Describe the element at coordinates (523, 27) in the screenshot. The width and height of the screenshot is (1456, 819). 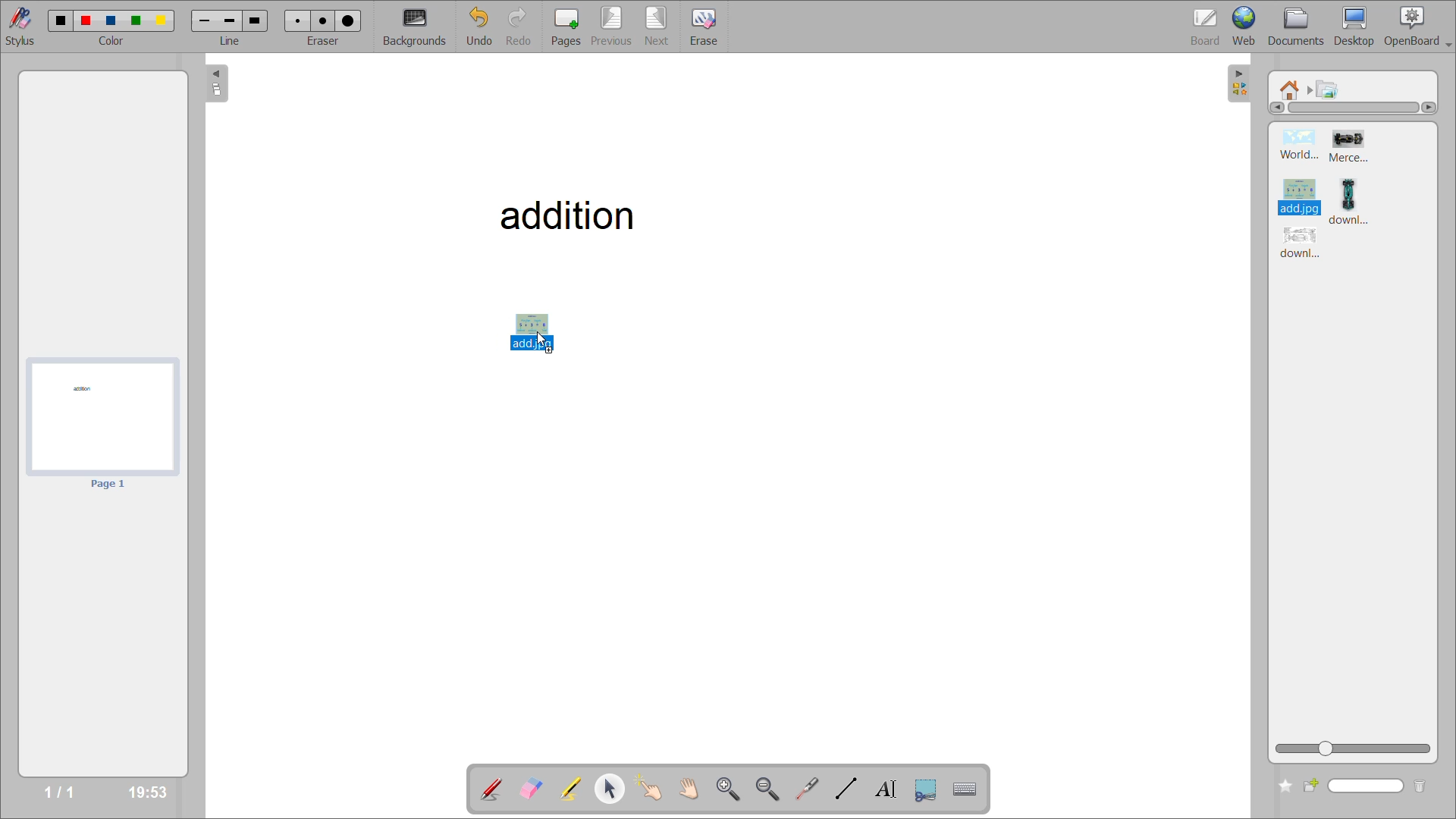
I see `redo` at that location.